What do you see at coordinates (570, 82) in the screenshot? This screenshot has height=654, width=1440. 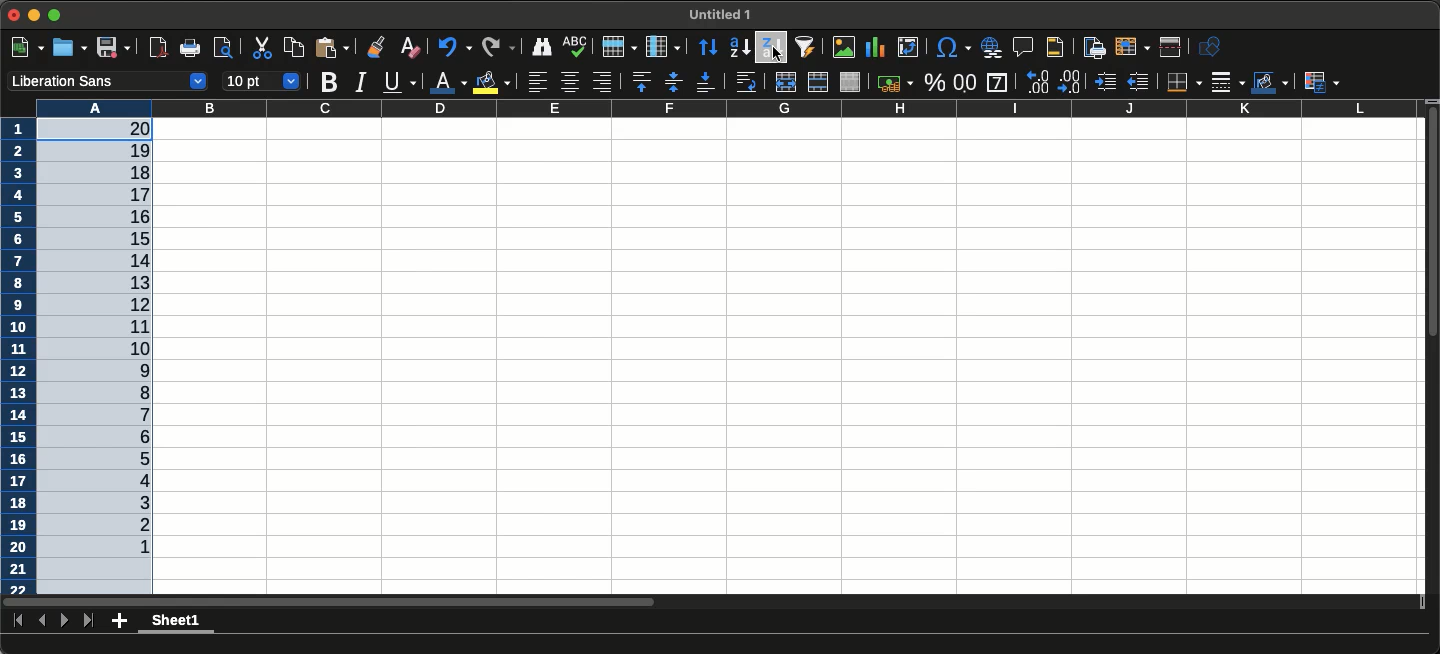 I see `Align center` at bounding box center [570, 82].